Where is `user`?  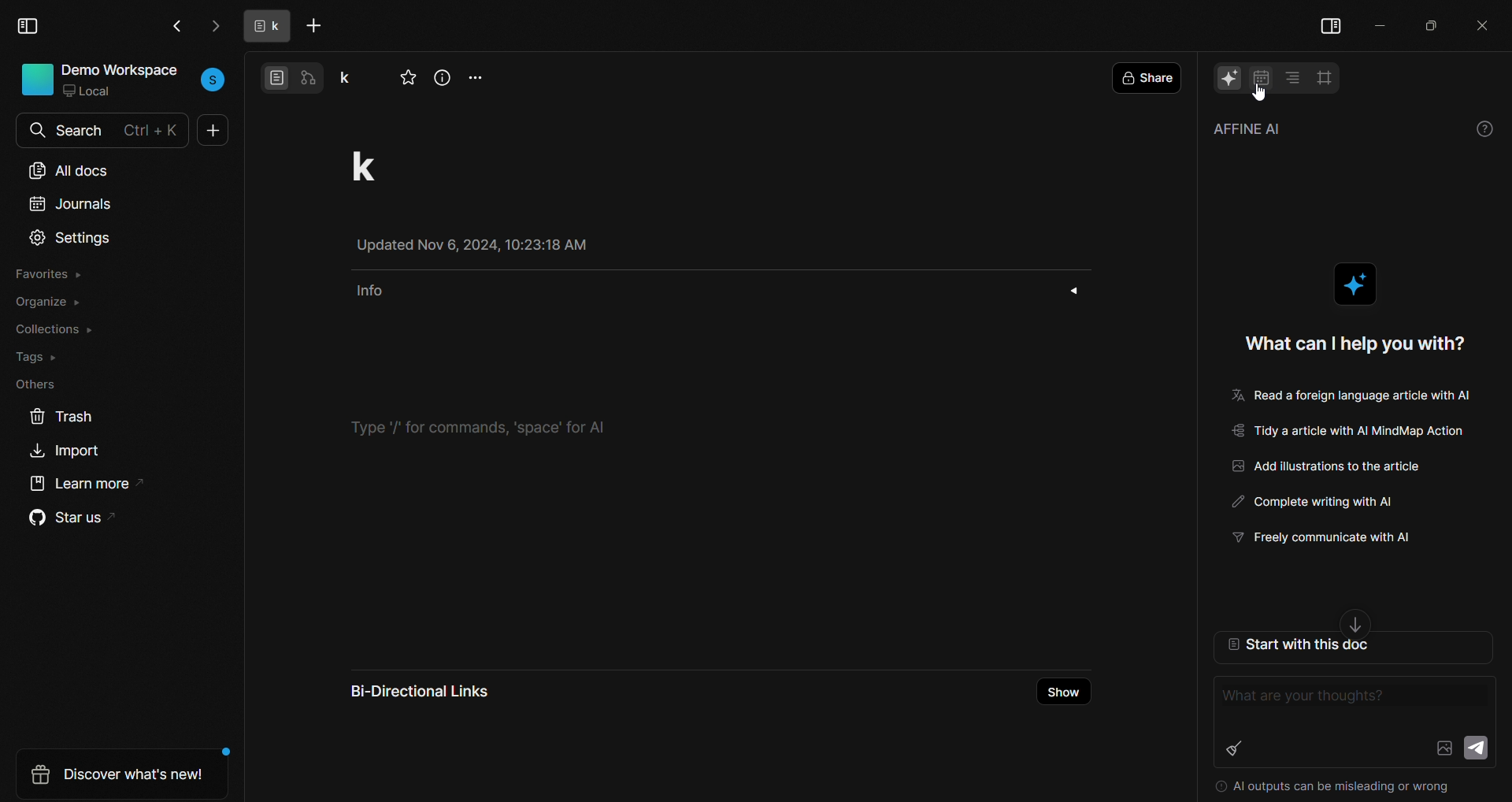
user is located at coordinates (214, 79).